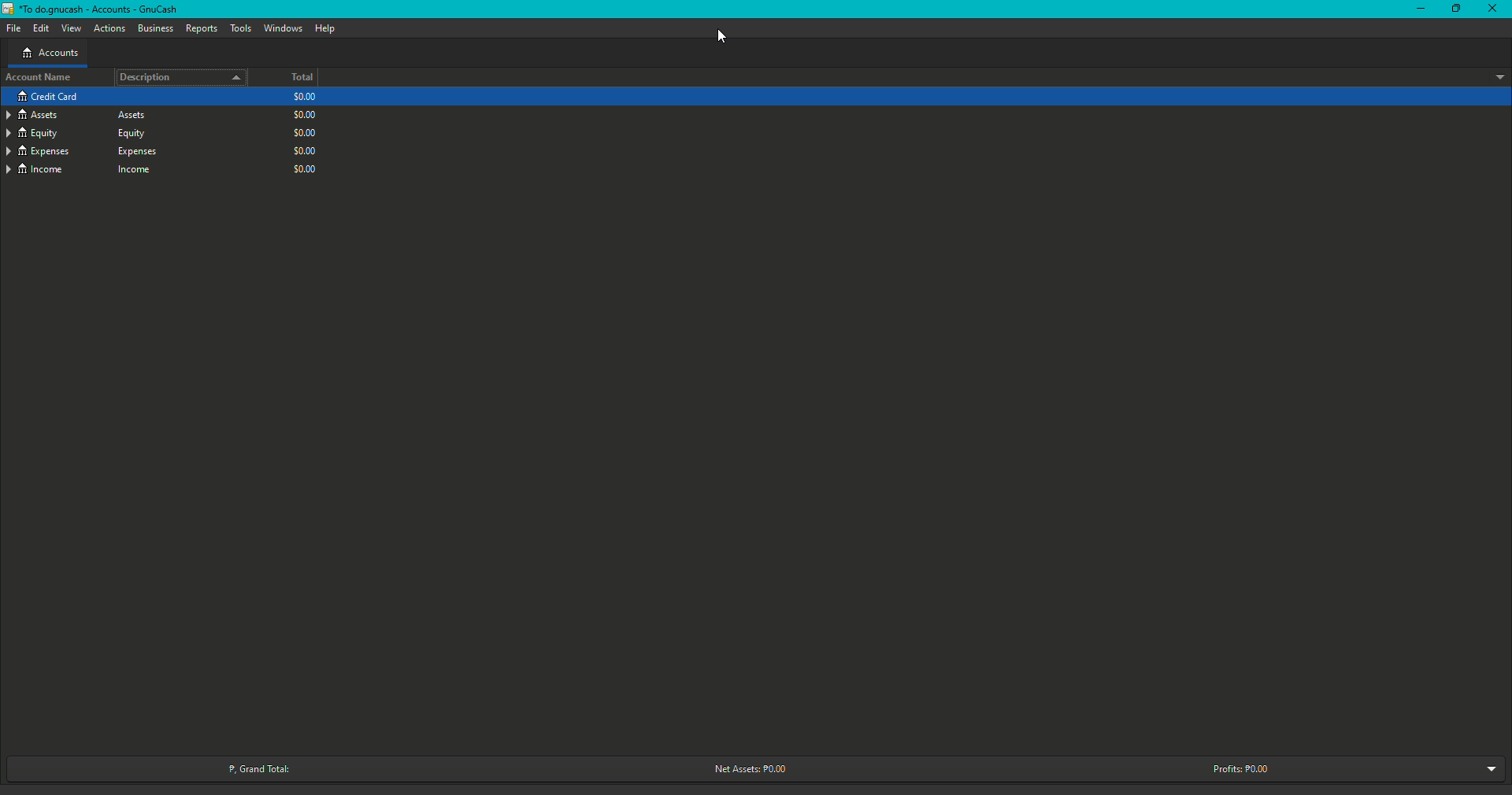  What do you see at coordinates (280, 30) in the screenshot?
I see `Windows` at bounding box center [280, 30].